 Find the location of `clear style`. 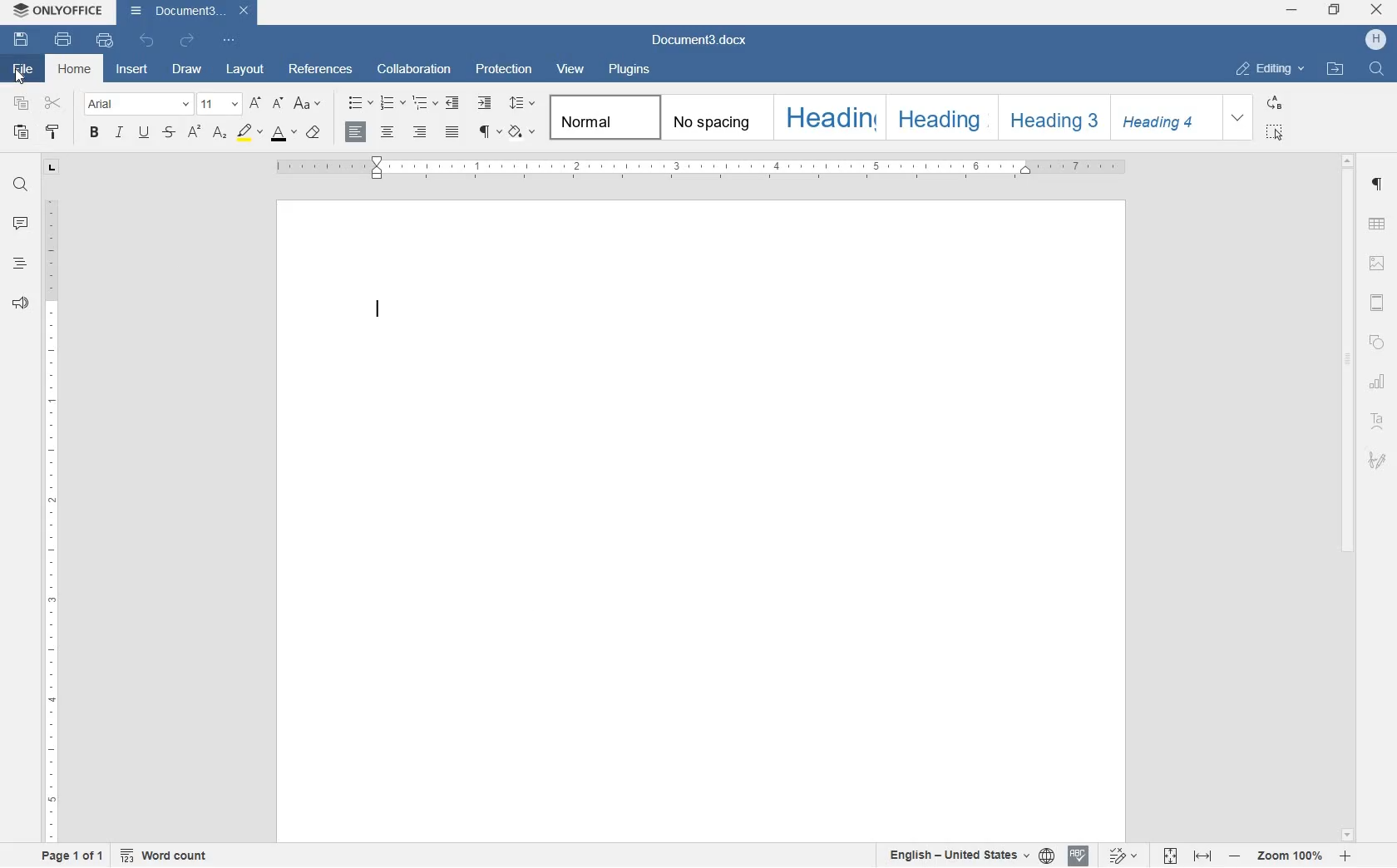

clear style is located at coordinates (314, 132).